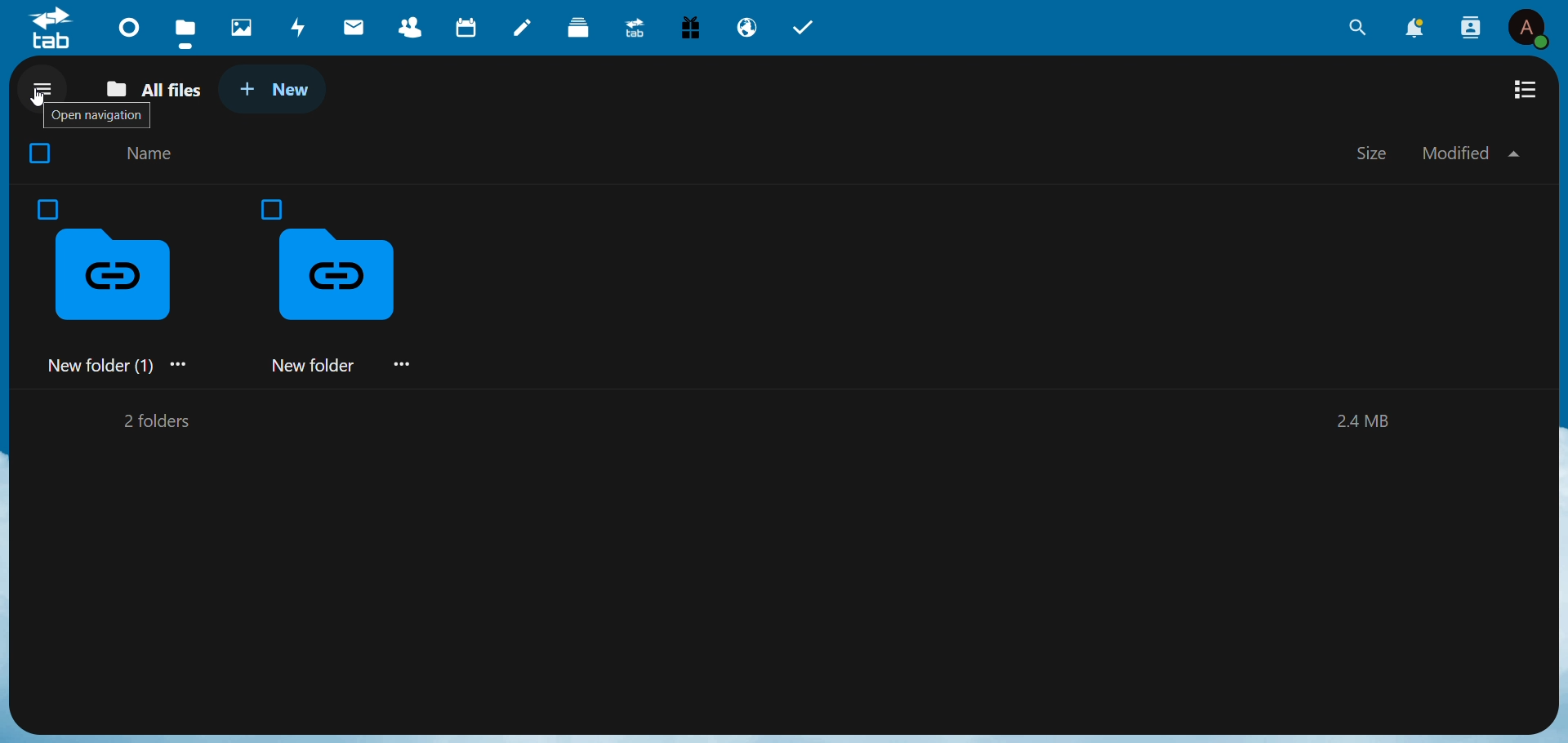 Image resolution: width=1568 pixels, height=743 pixels. Describe the element at coordinates (36, 154) in the screenshot. I see `checkbox` at that location.